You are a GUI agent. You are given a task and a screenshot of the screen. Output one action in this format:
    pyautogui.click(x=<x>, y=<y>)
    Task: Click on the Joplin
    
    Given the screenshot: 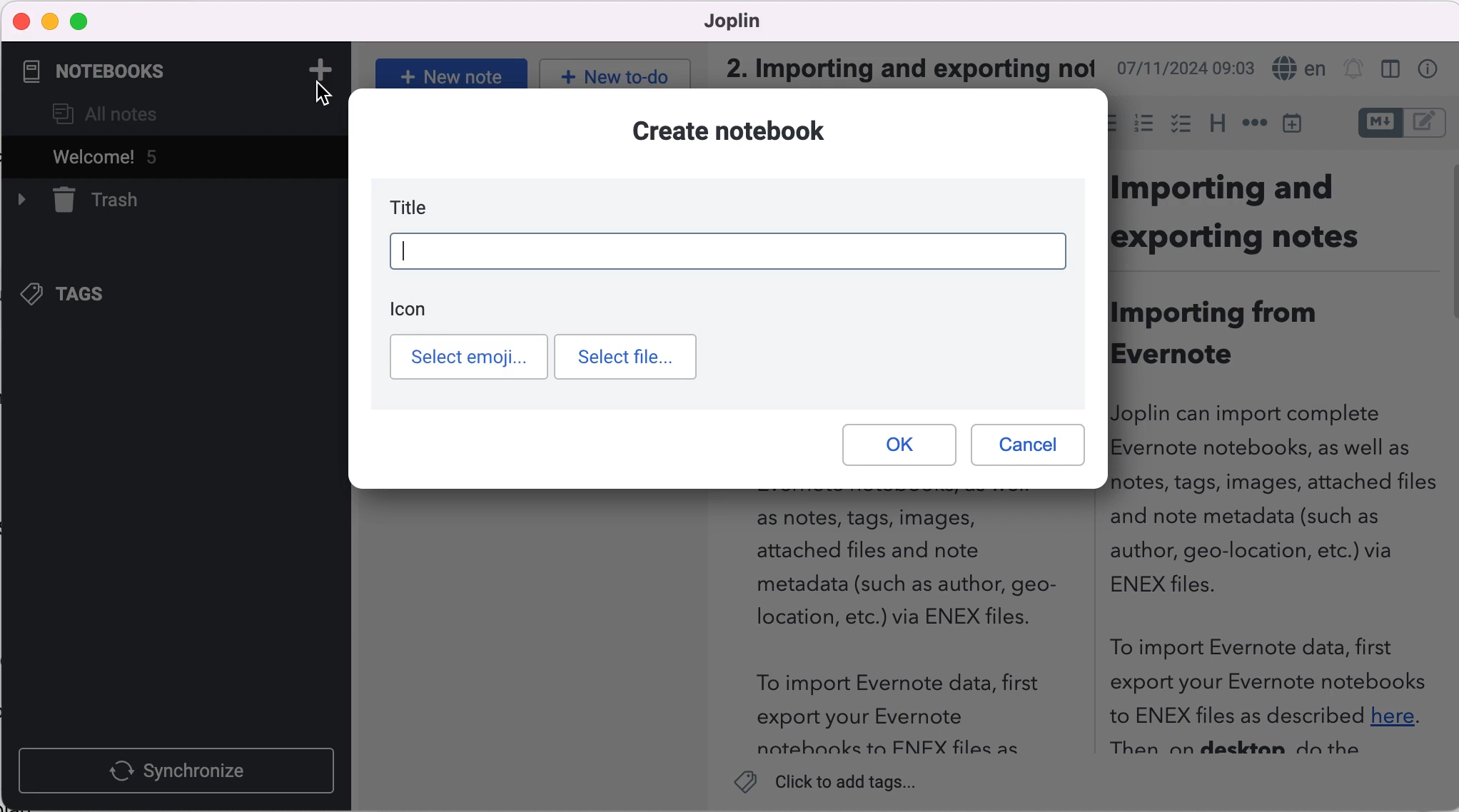 What is the action you would take?
    pyautogui.click(x=725, y=20)
    